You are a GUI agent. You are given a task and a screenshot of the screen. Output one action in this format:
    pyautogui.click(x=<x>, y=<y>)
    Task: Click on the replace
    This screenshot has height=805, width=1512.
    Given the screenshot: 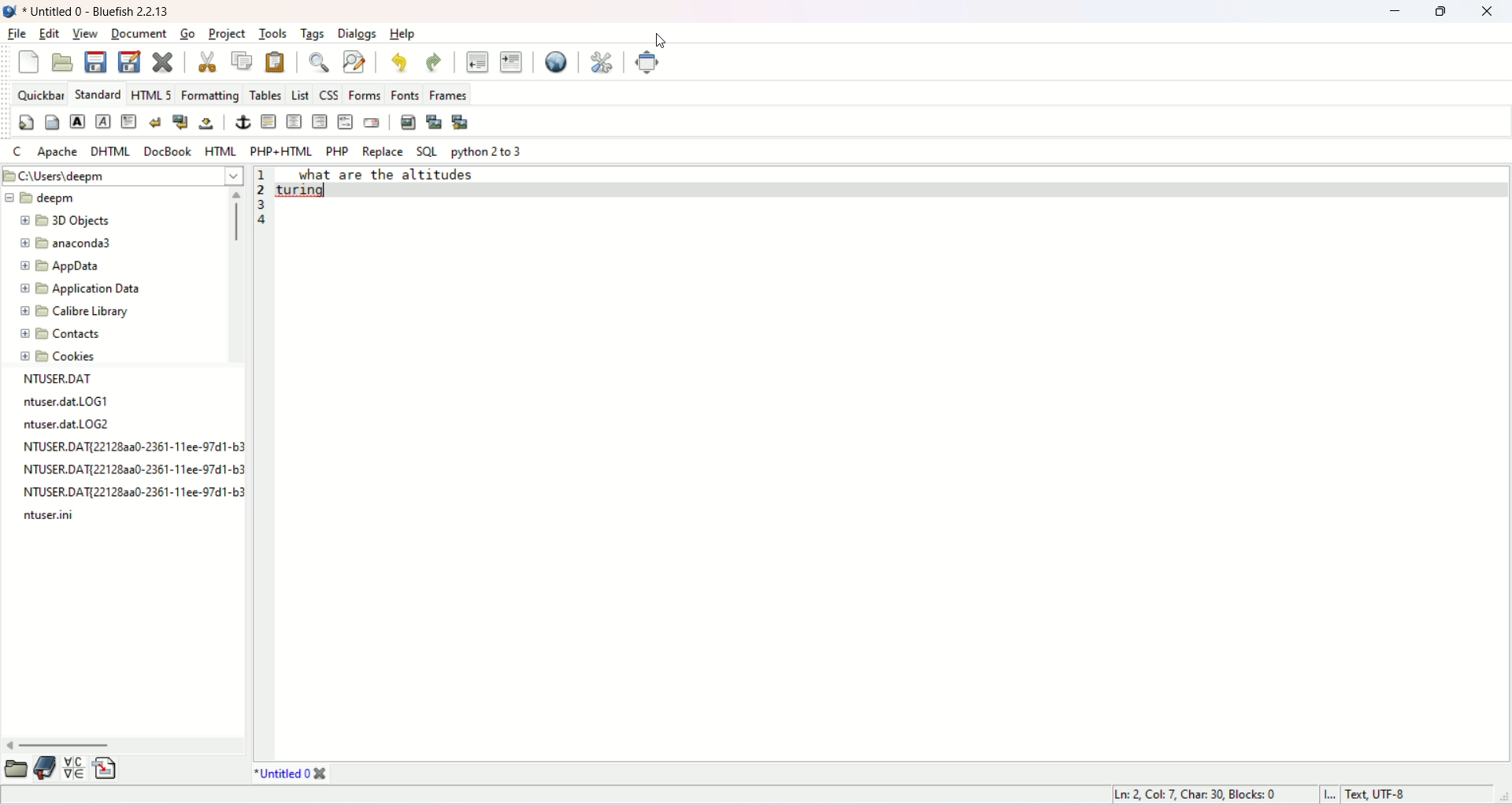 What is the action you would take?
    pyautogui.click(x=381, y=152)
    